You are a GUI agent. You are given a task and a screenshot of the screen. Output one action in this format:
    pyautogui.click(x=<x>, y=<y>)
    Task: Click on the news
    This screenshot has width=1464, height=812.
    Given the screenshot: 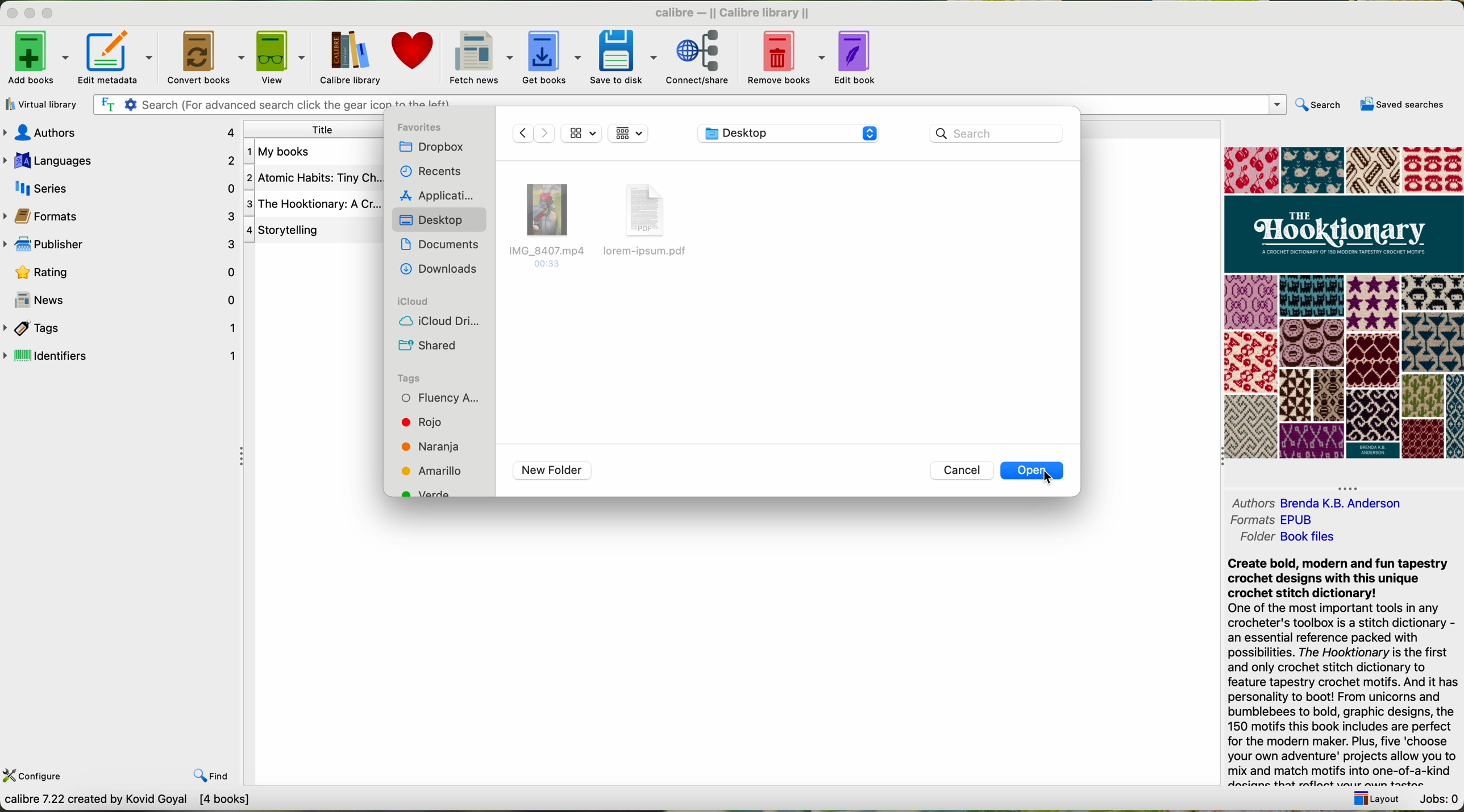 What is the action you would take?
    pyautogui.click(x=120, y=299)
    